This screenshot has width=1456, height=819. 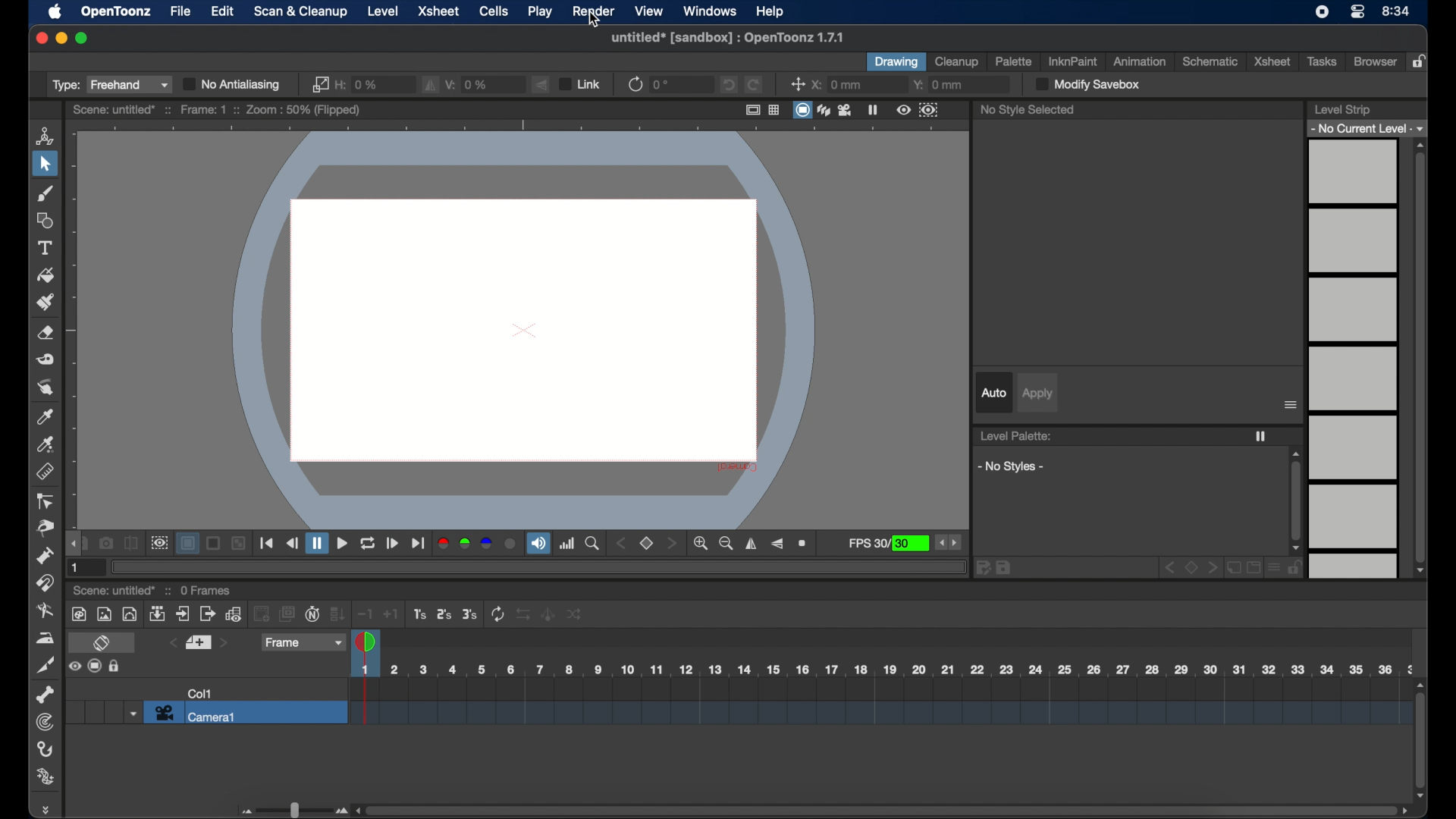 I want to click on y, so click(x=939, y=85).